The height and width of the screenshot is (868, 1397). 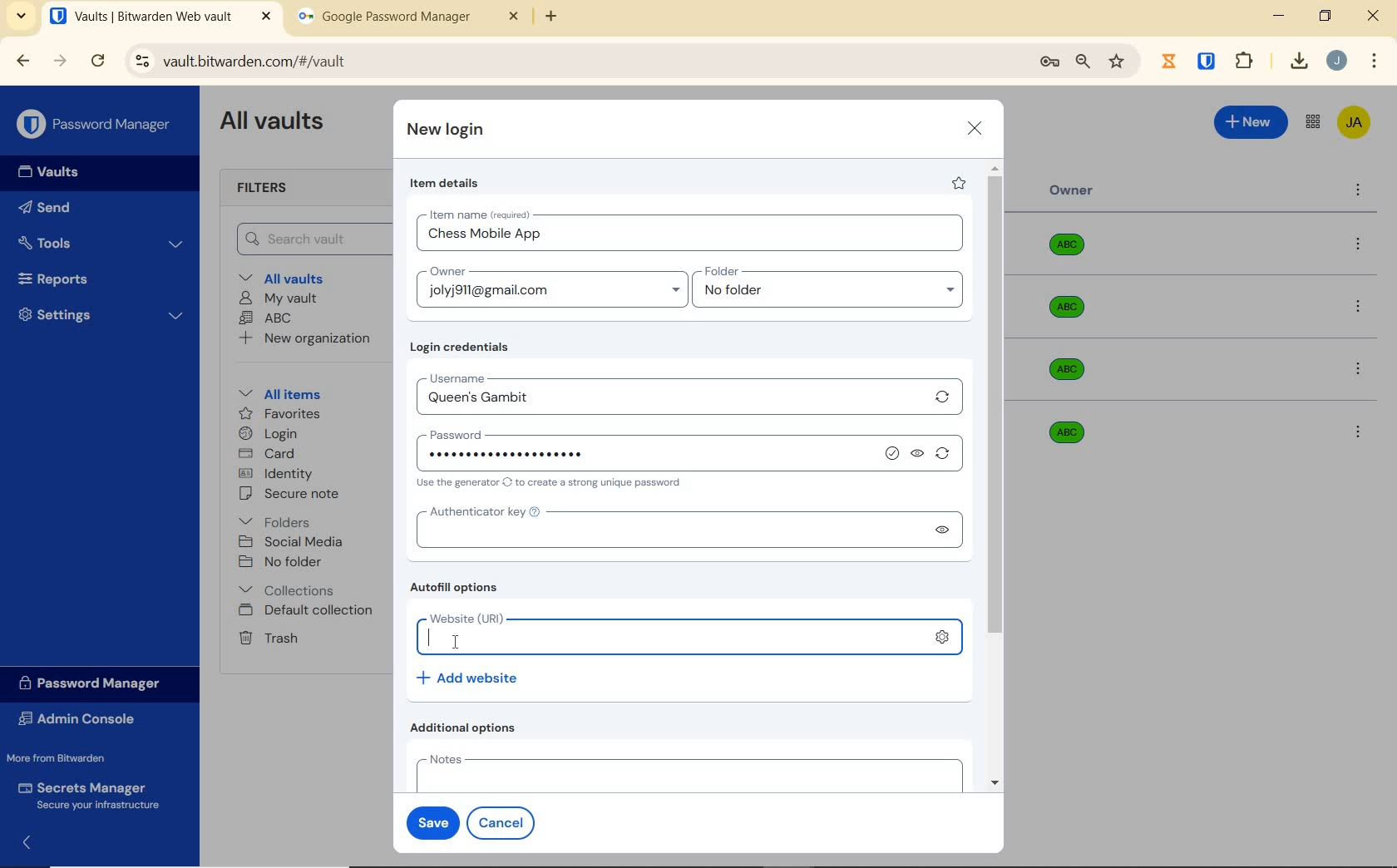 I want to click on Add website, so click(x=469, y=677).